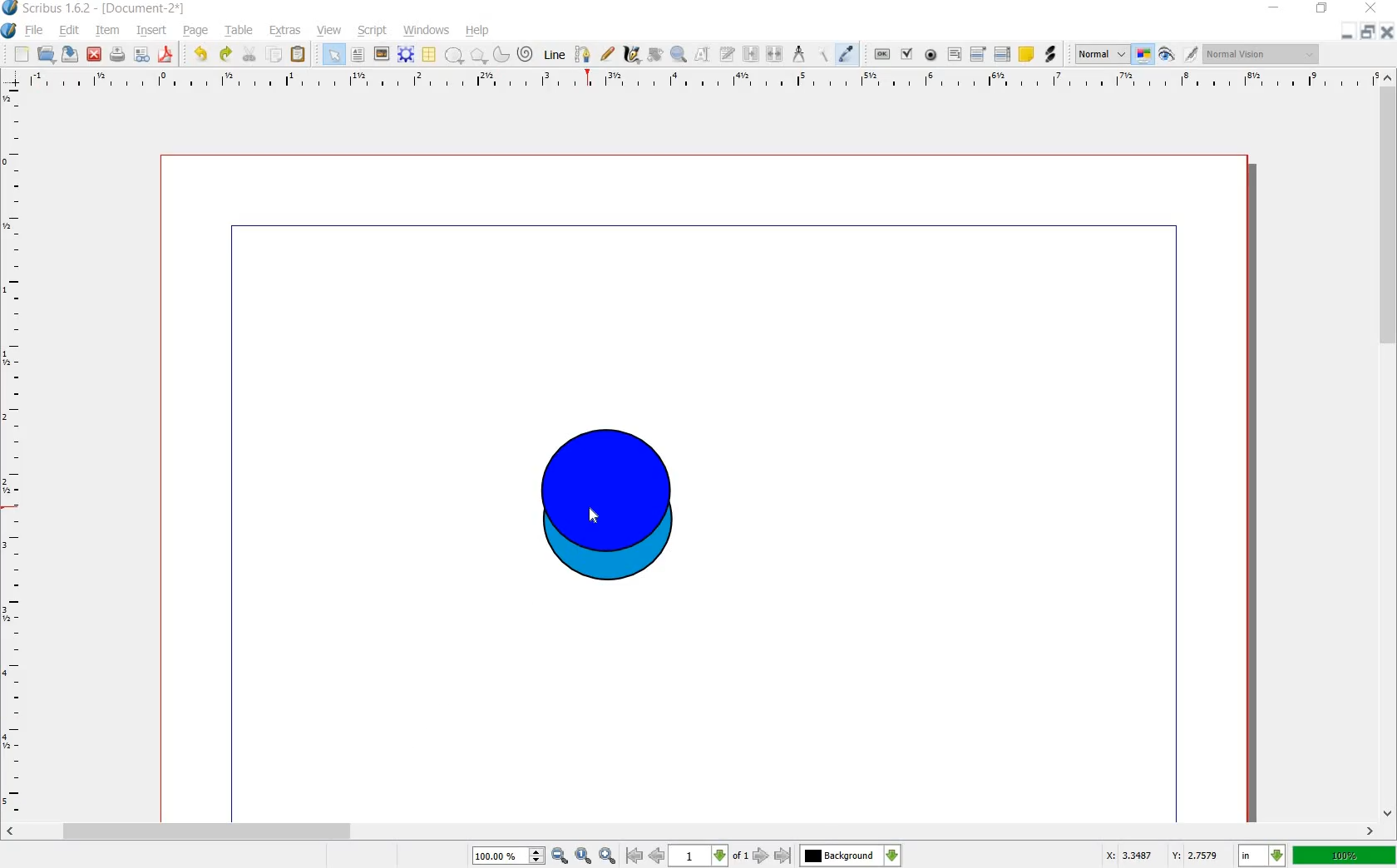 The width and height of the screenshot is (1397, 868). What do you see at coordinates (477, 56) in the screenshot?
I see `polygon` at bounding box center [477, 56].